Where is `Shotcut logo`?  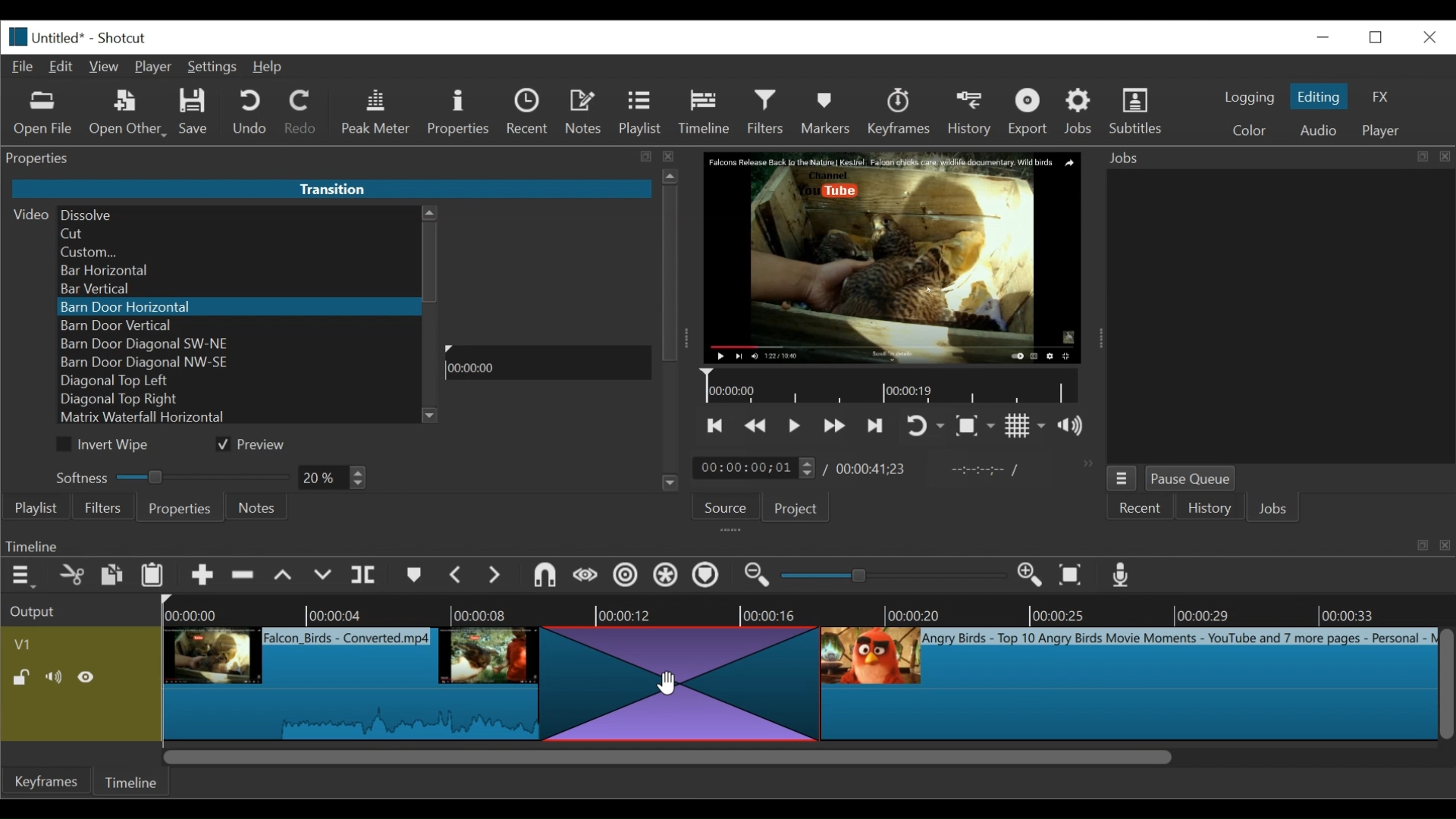
Shotcut logo is located at coordinates (14, 37).